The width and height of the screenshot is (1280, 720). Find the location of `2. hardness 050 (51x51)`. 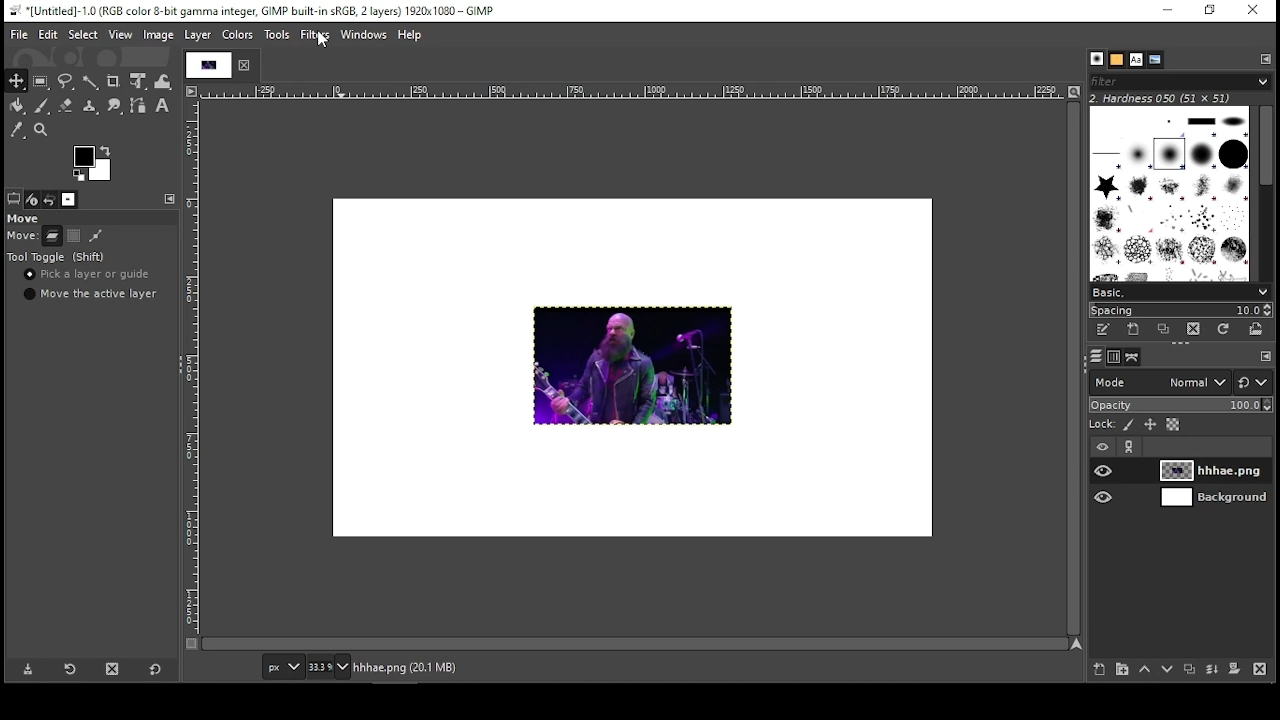

2. hardness 050 (51x51) is located at coordinates (1180, 98).